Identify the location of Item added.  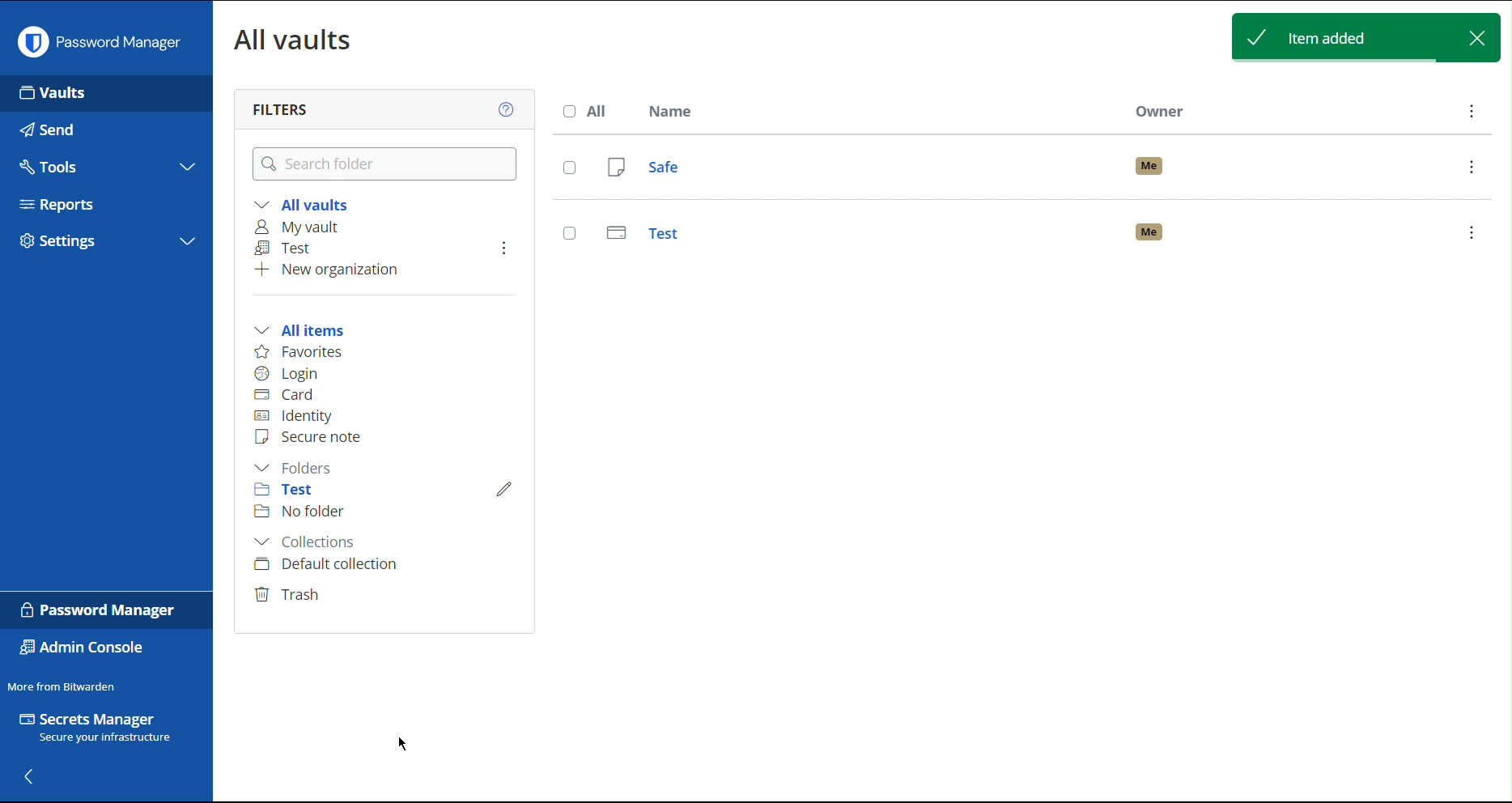
(1369, 36).